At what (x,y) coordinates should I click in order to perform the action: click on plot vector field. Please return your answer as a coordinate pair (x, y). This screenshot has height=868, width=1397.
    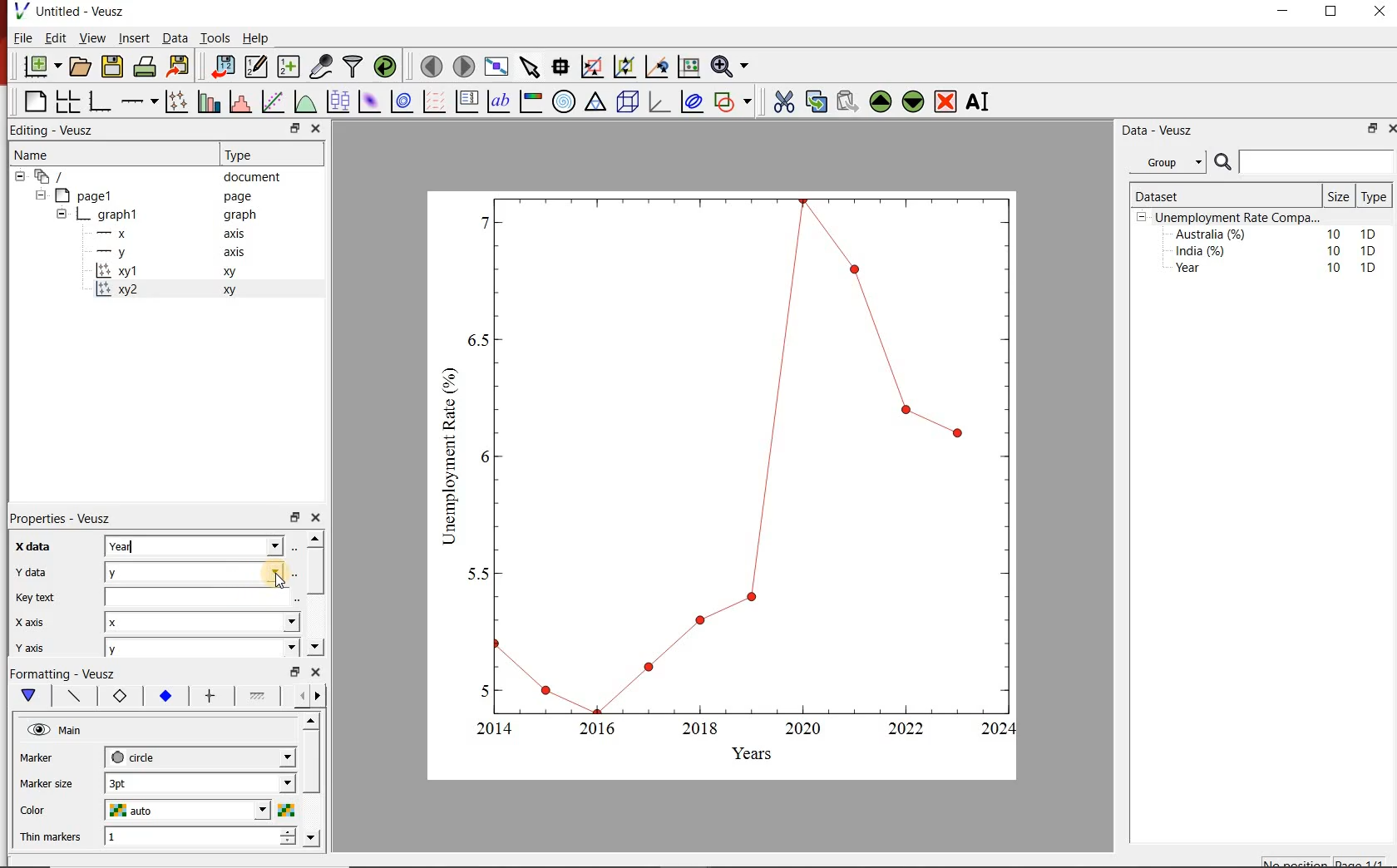
    Looking at the image, I should click on (433, 101).